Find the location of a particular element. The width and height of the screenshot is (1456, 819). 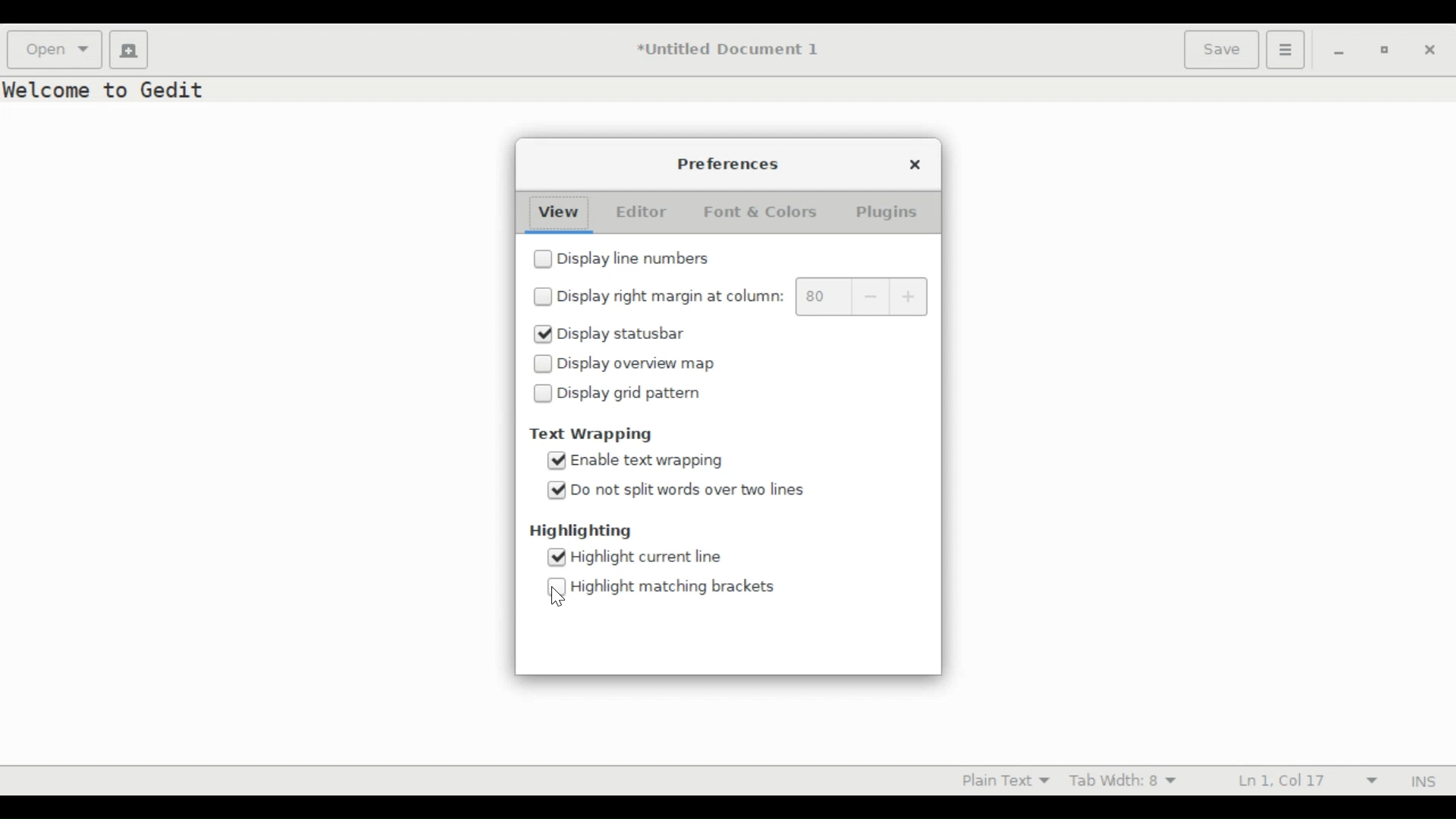

INS is located at coordinates (1419, 781).